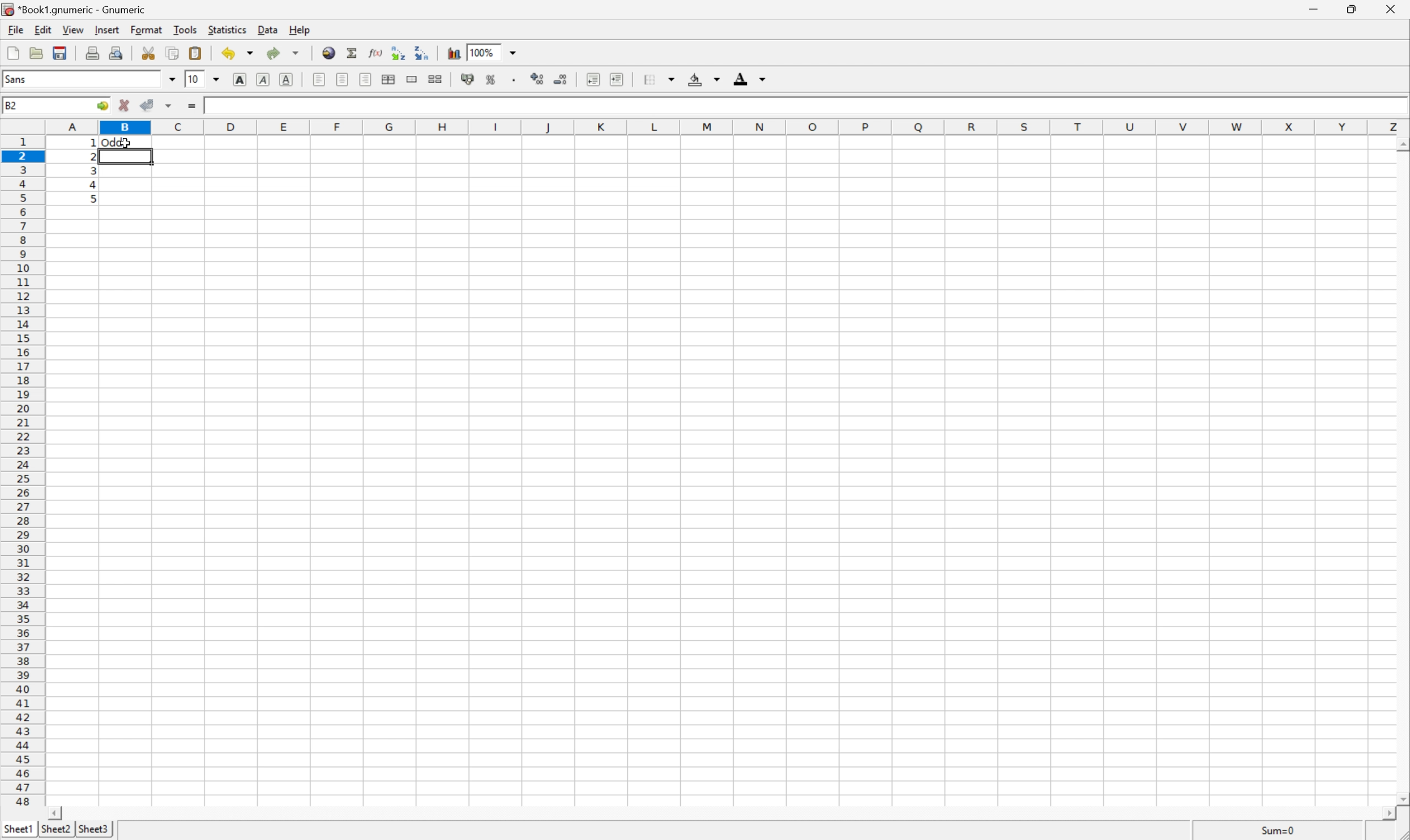 The image size is (1410, 840). What do you see at coordinates (116, 52) in the screenshot?
I see `Print preview` at bounding box center [116, 52].